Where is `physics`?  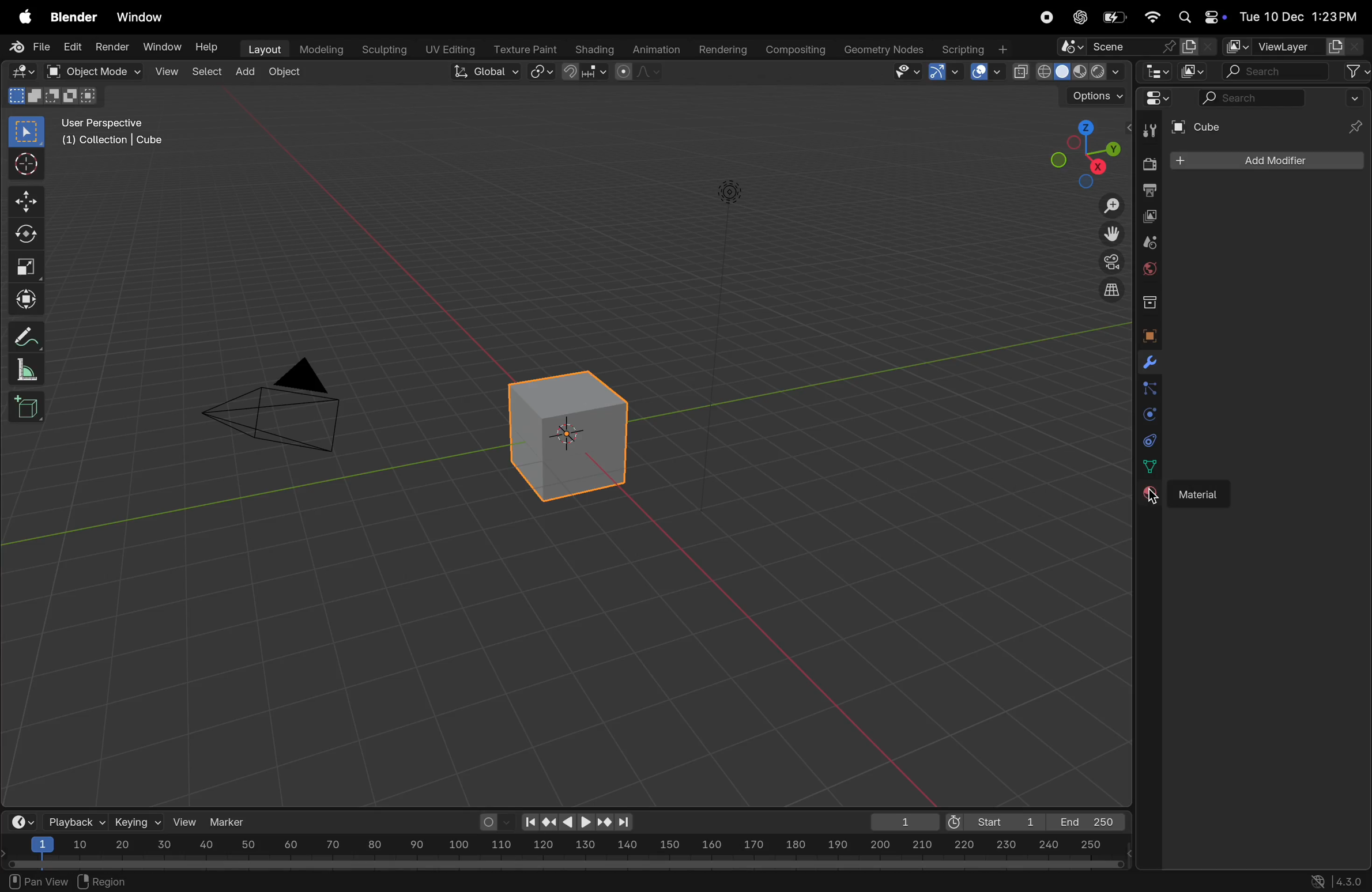
physics is located at coordinates (1148, 415).